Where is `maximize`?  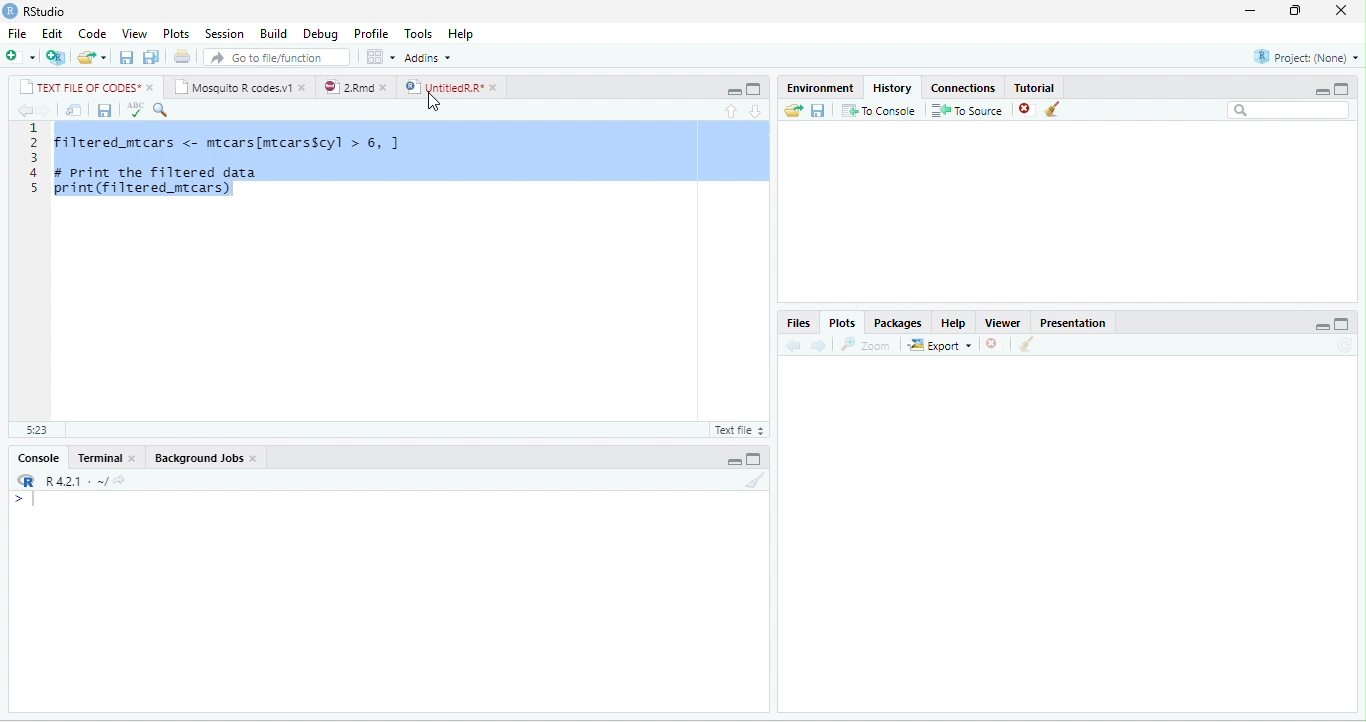
maximize is located at coordinates (1342, 324).